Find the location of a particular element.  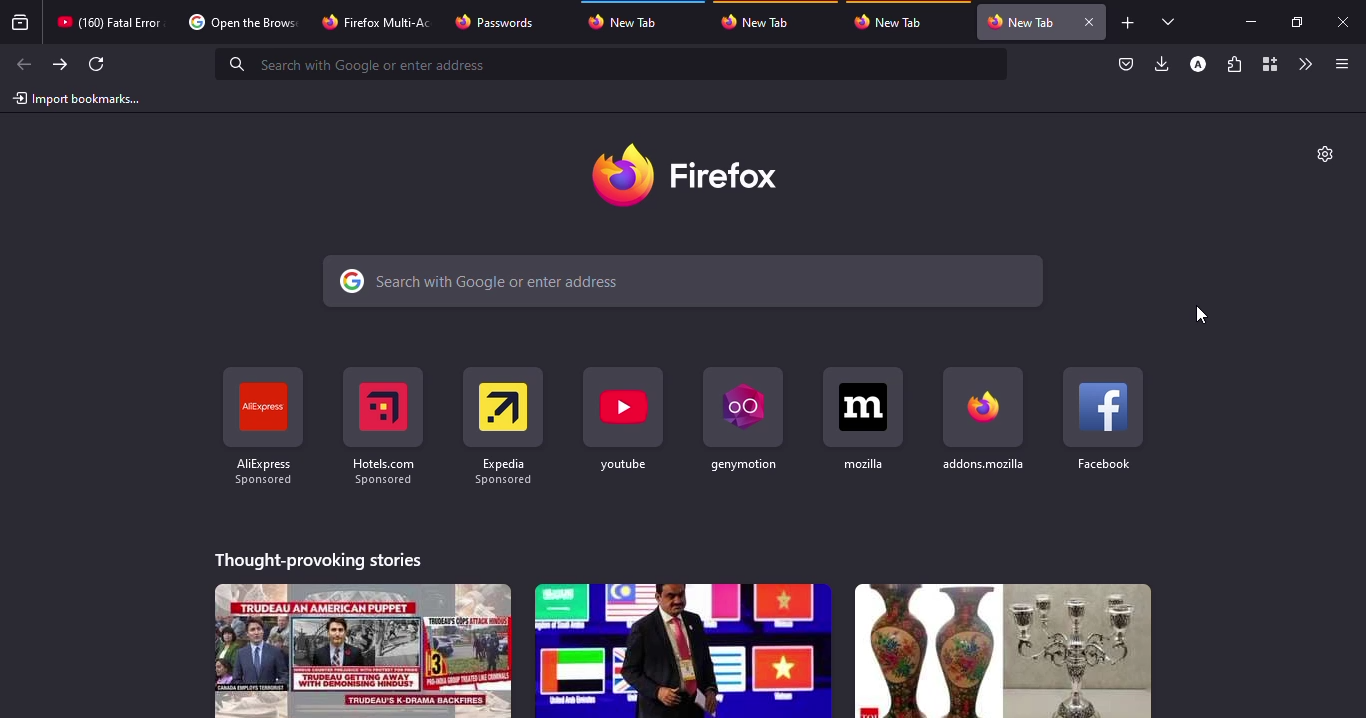

story is located at coordinates (1003, 651).